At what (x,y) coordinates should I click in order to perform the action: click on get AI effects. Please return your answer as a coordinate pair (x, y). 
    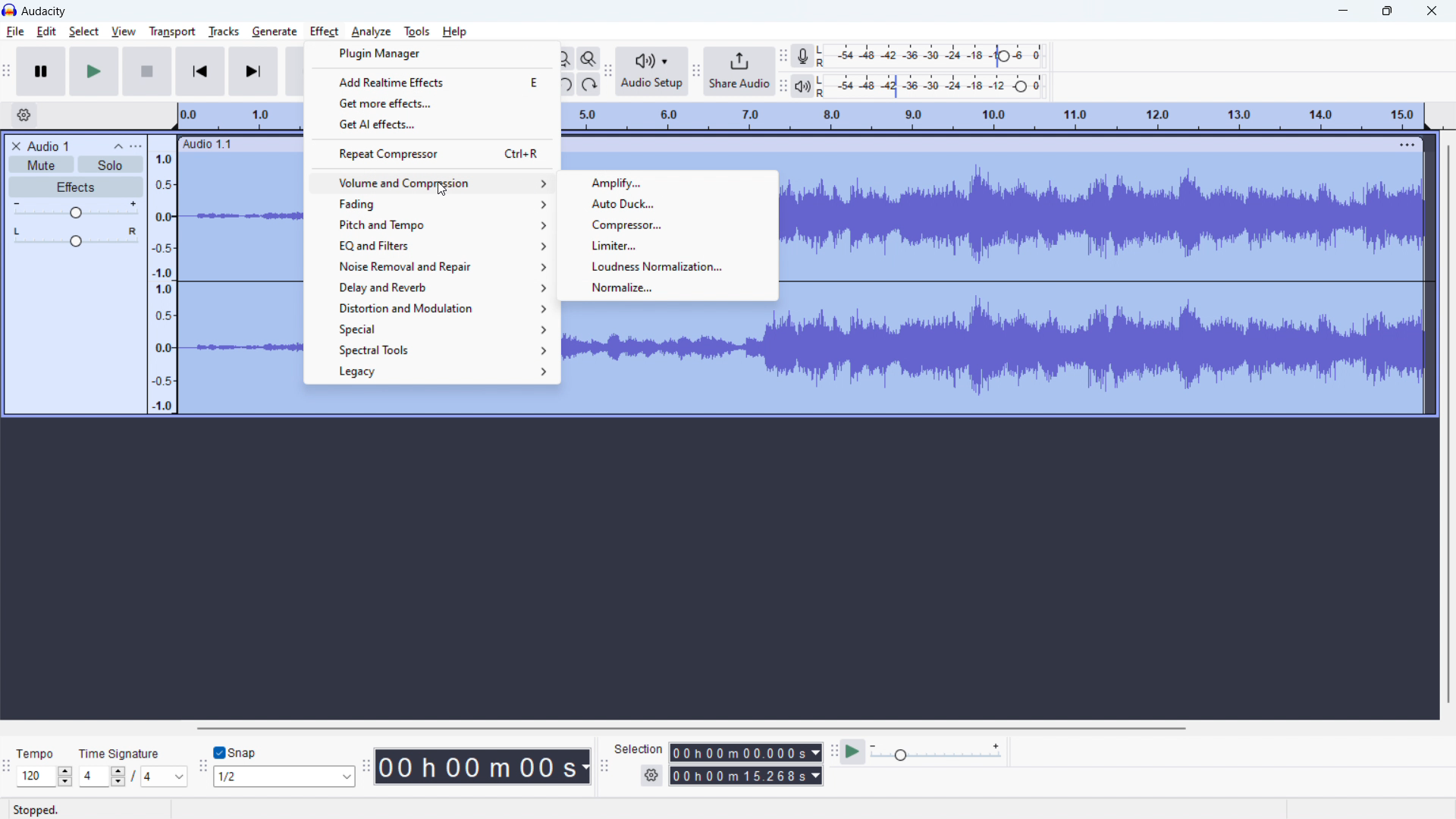
    Looking at the image, I should click on (431, 124).